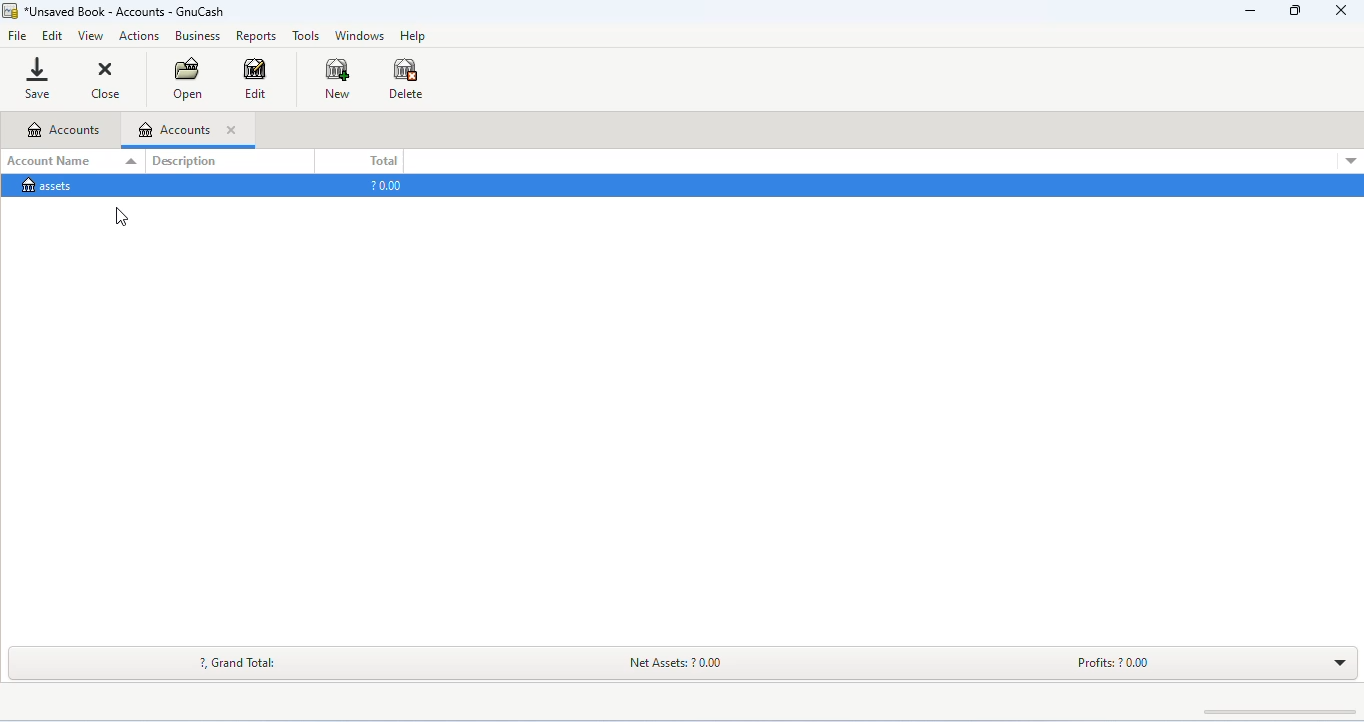 The height and width of the screenshot is (722, 1364). What do you see at coordinates (10, 12) in the screenshot?
I see `gnucash logo` at bounding box center [10, 12].